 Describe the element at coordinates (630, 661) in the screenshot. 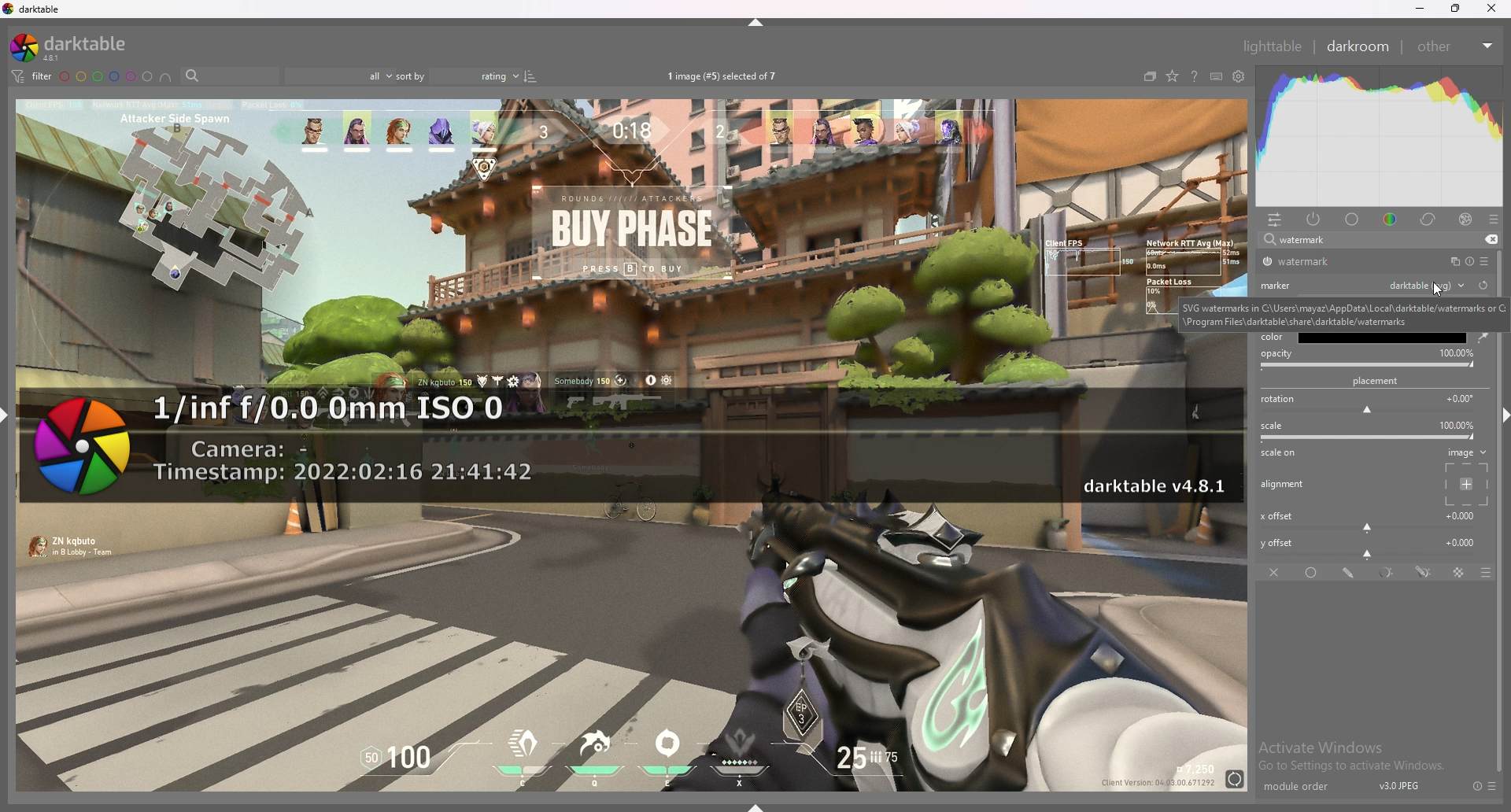

I see `photo` at that location.